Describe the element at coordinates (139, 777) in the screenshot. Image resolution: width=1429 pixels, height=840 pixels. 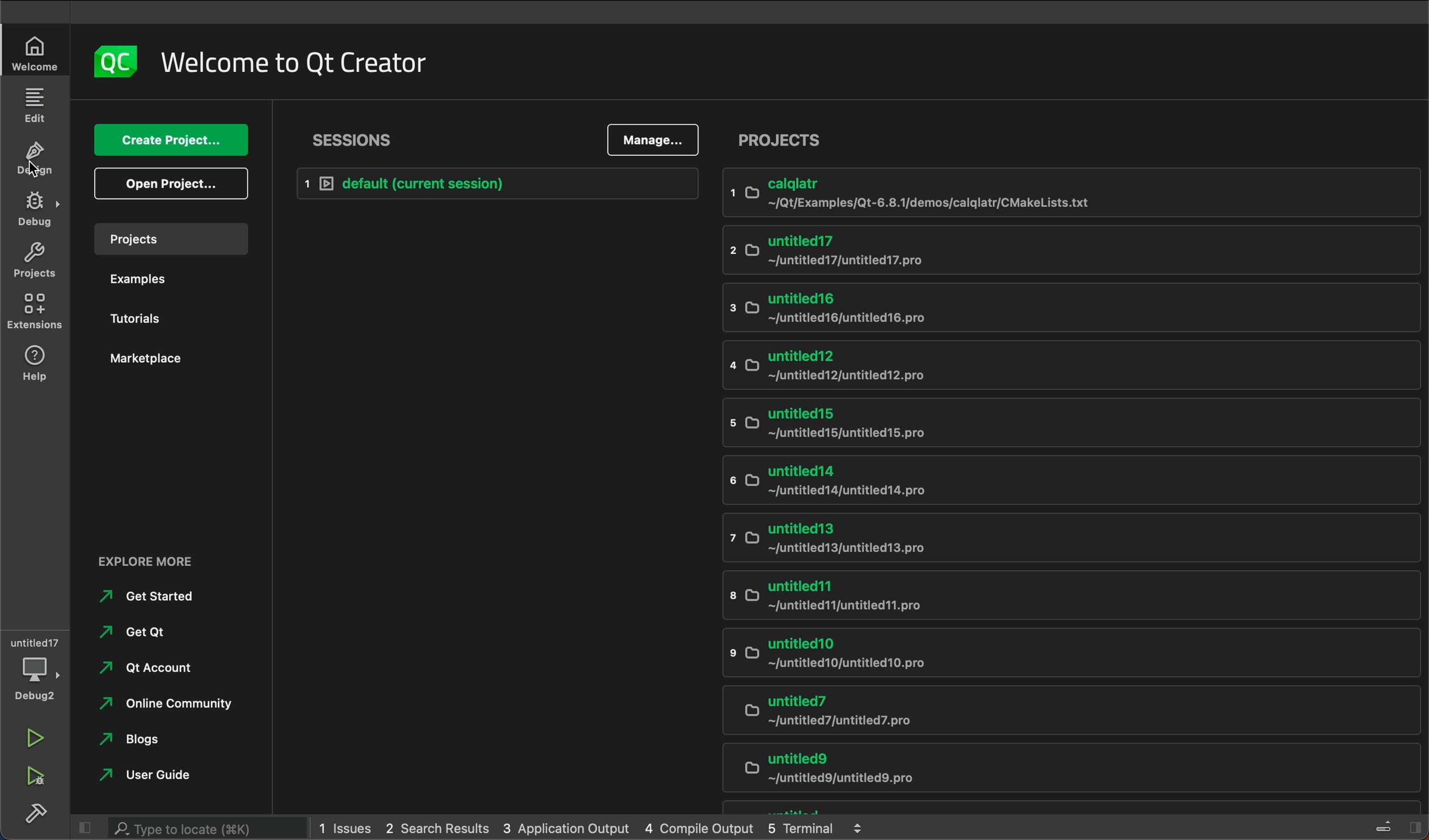
I see `user guide` at that location.